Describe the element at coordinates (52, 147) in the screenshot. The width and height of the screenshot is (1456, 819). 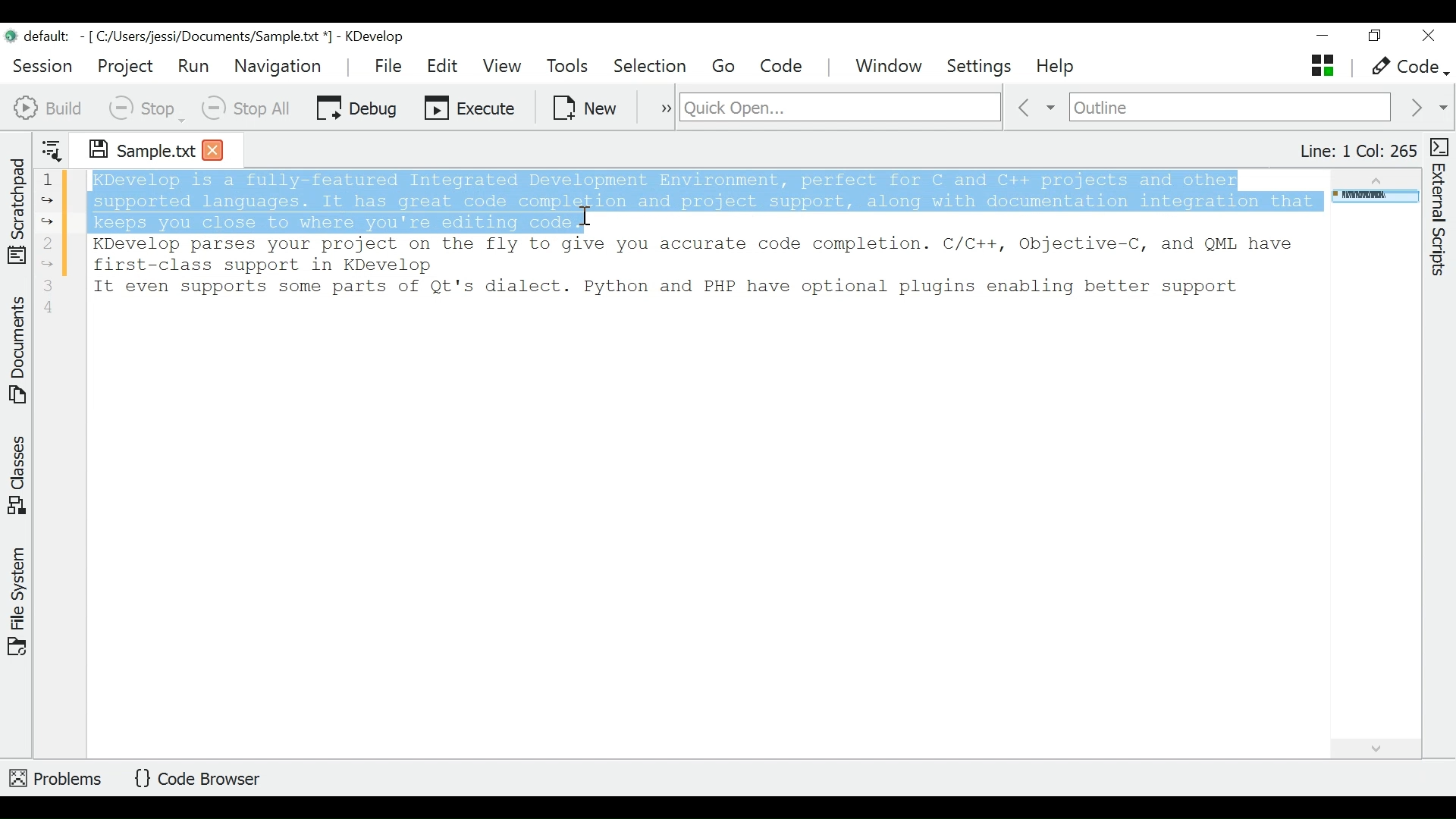
I see `Show sorted list` at that location.